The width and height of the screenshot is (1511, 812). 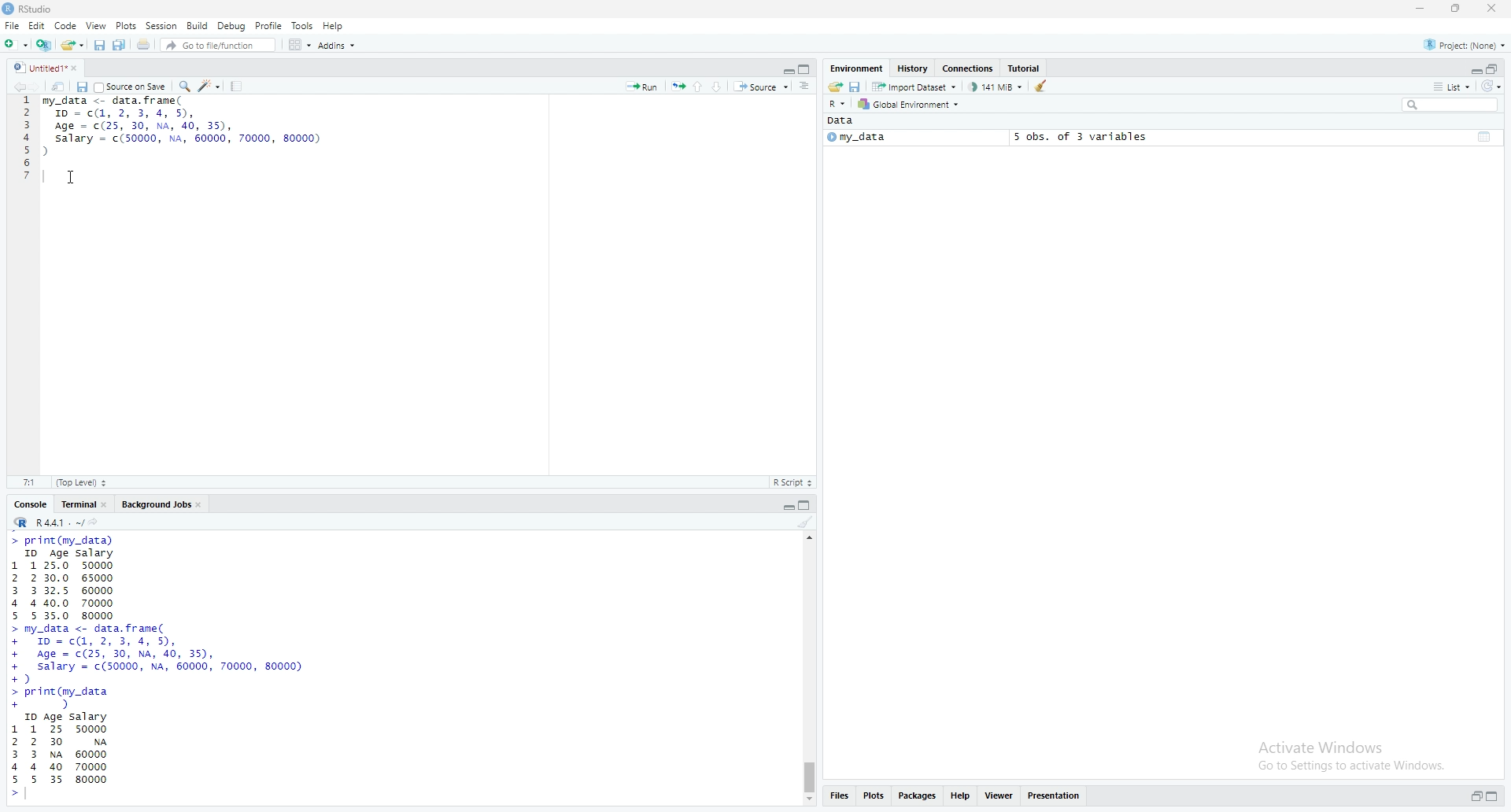 What do you see at coordinates (238, 86) in the screenshot?
I see `compile reports` at bounding box center [238, 86].